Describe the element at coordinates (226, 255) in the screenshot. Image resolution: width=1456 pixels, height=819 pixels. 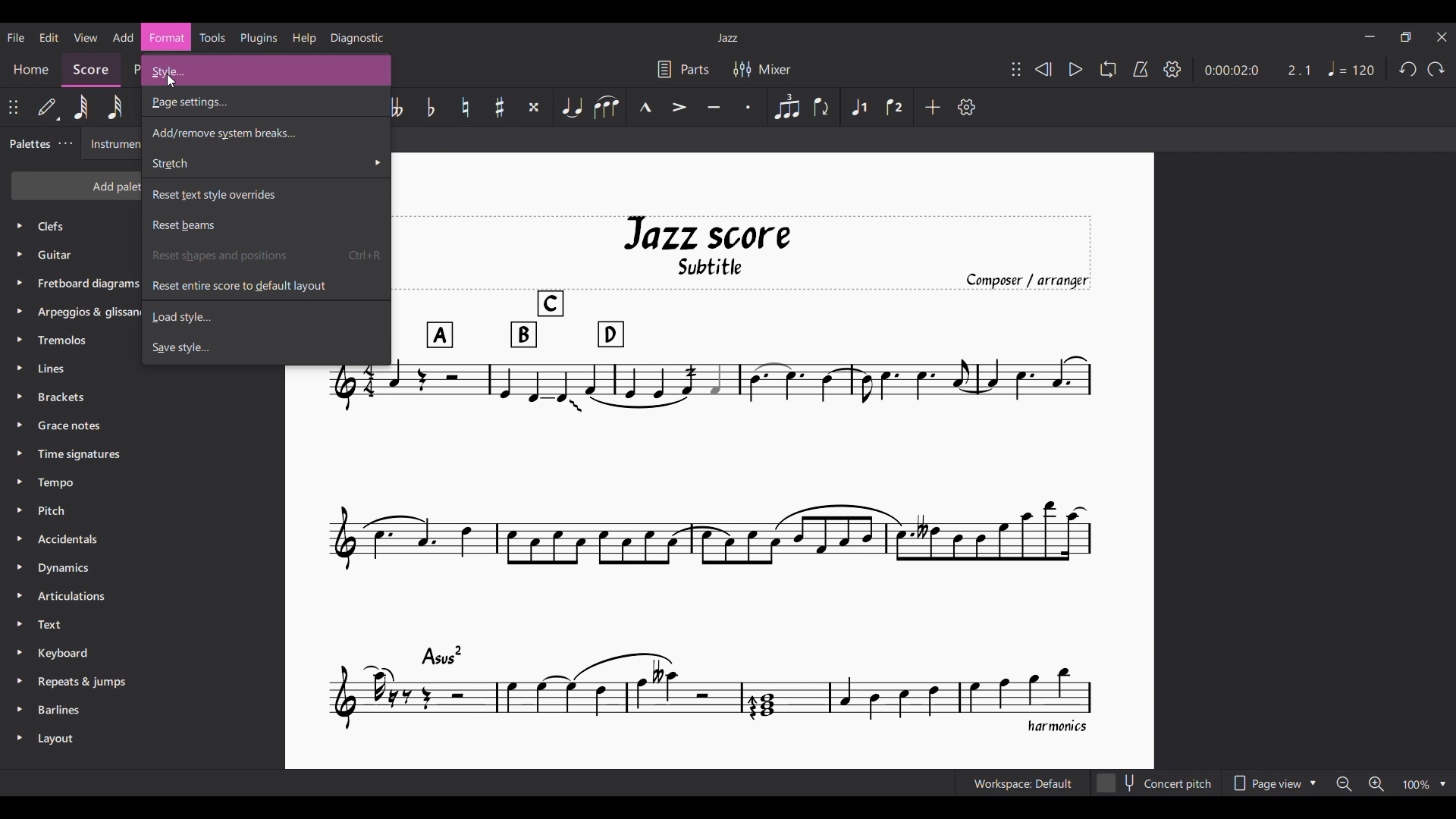
I see `Reset shapes and positions` at that location.